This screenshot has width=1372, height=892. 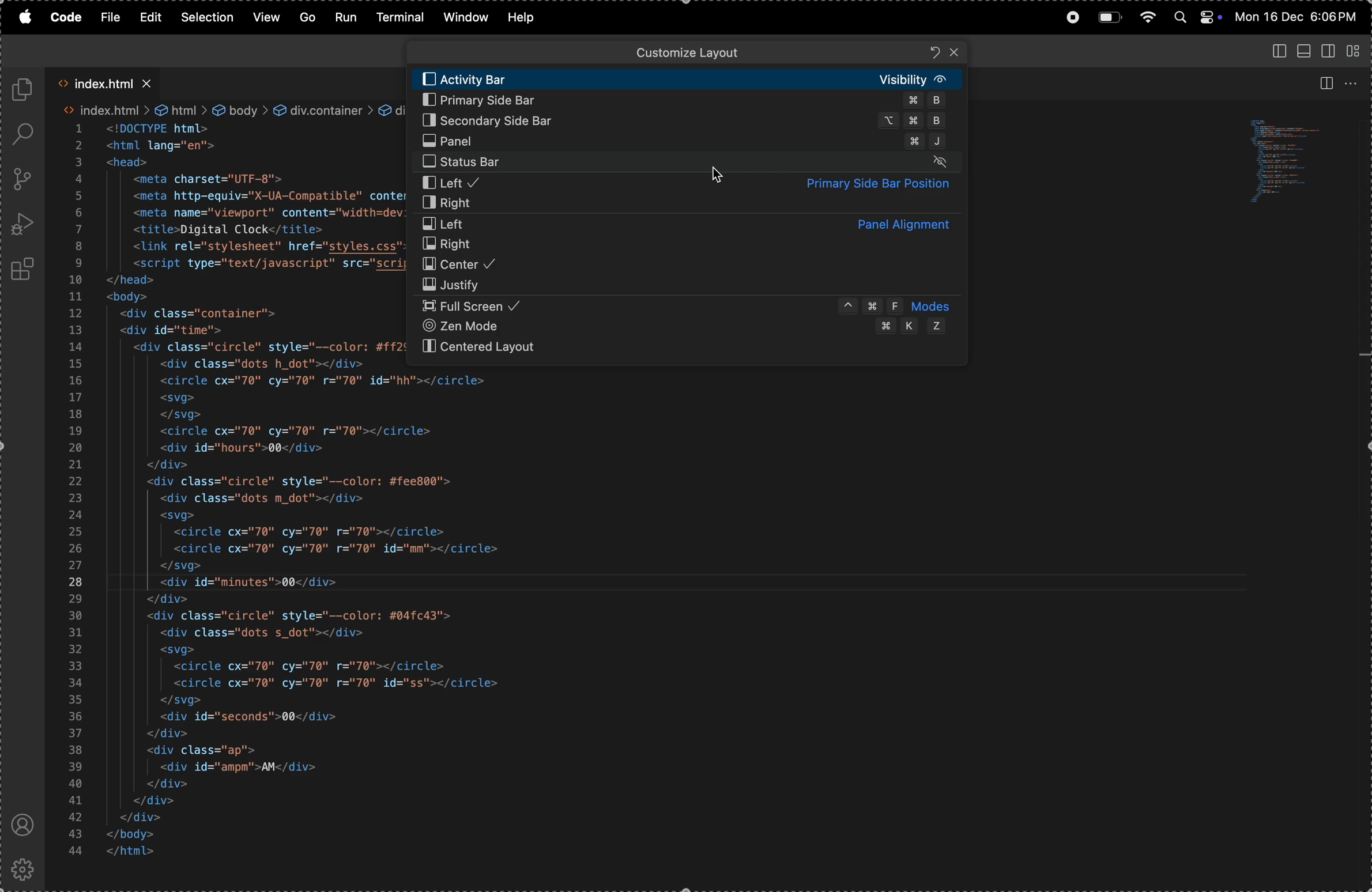 What do you see at coordinates (1195, 18) in the screenshot?
I see `apple widgets` at bounding box center [1195, 18].